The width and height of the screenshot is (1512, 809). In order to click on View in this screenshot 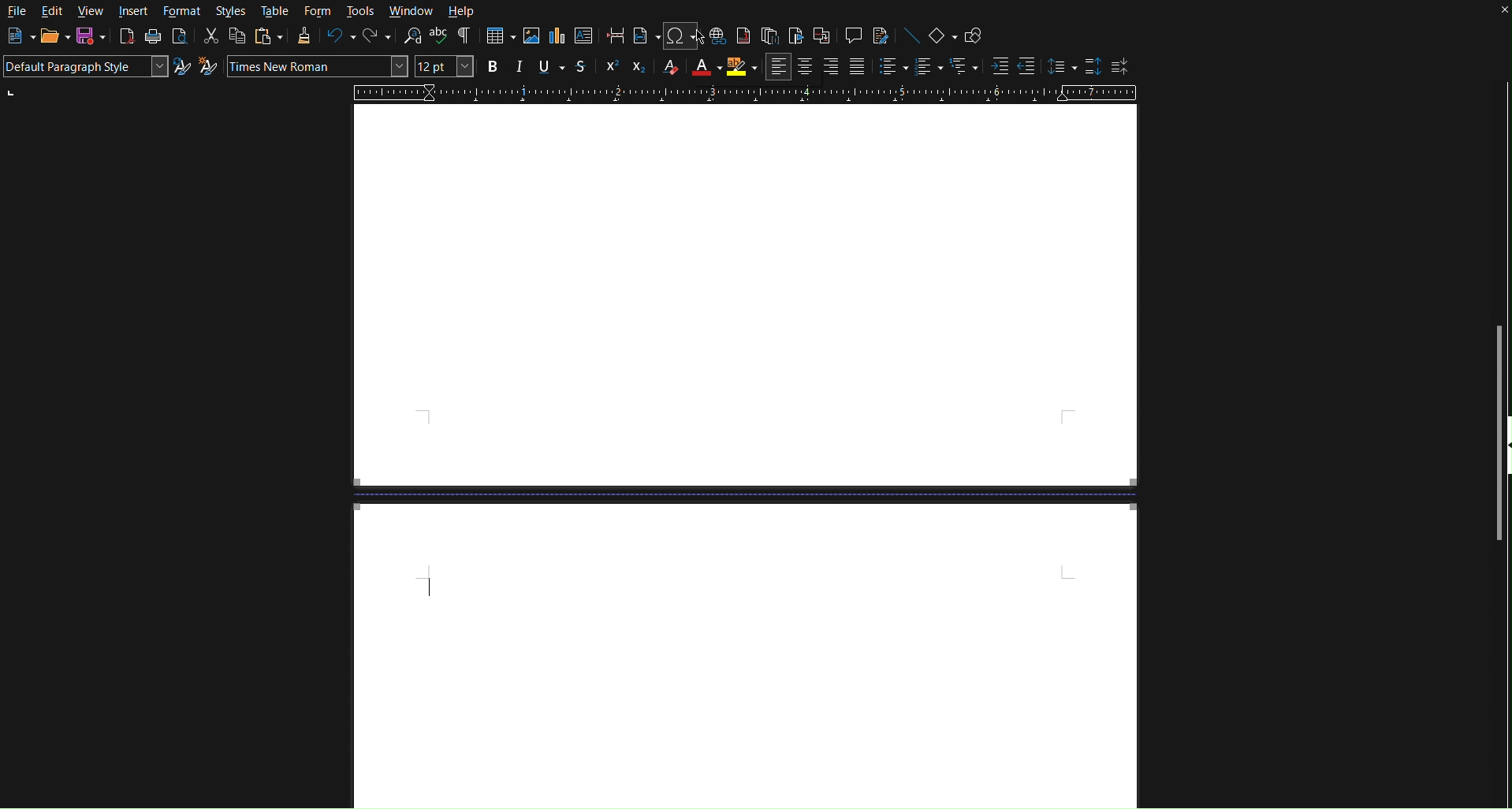, I will do `click(93, 12)`.